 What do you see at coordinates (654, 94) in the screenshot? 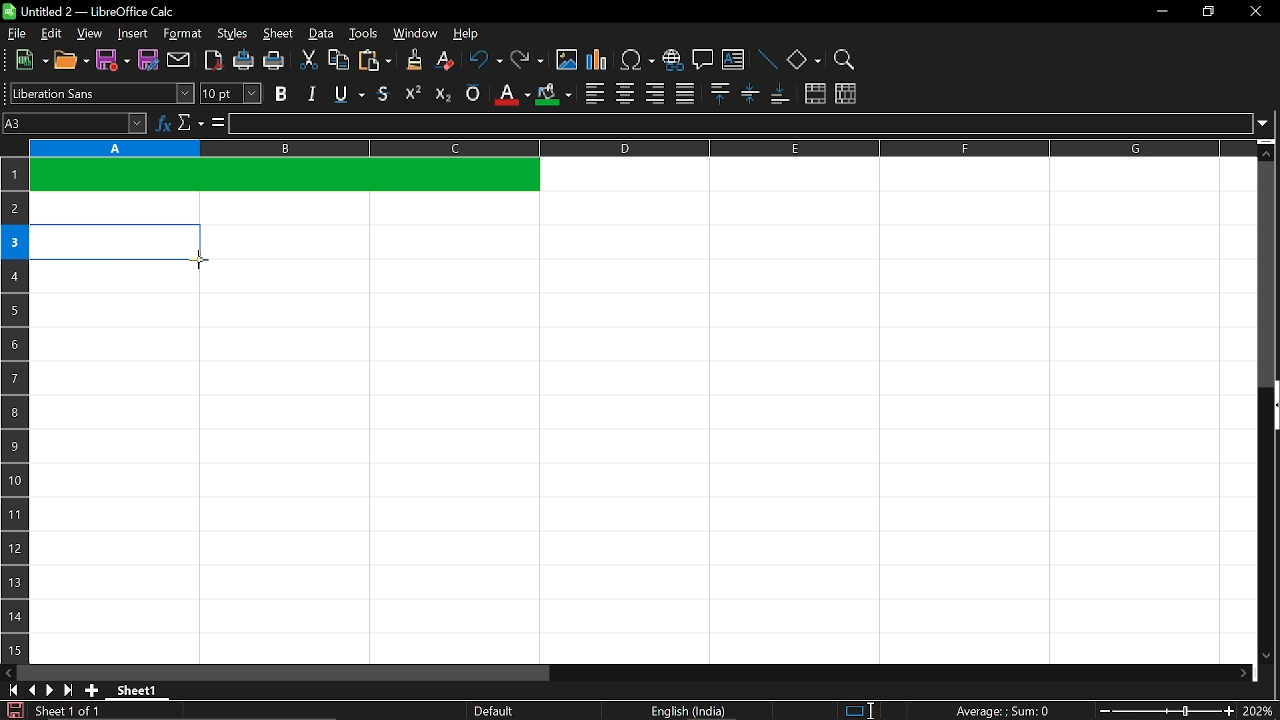
I see `align right` at bounding box center [654, 94].